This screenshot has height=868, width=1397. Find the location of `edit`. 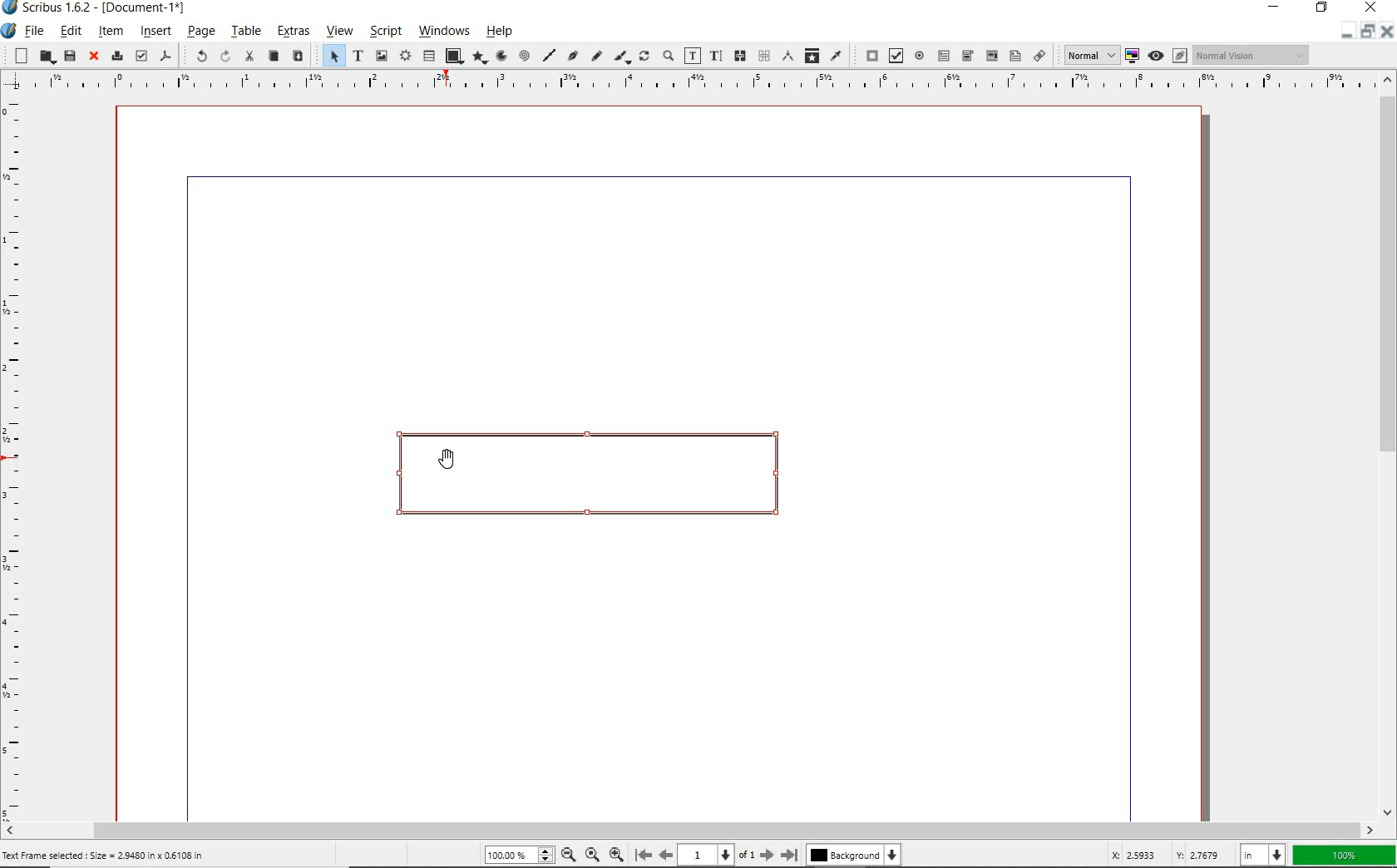

edit is located at coordinates (71, 31).